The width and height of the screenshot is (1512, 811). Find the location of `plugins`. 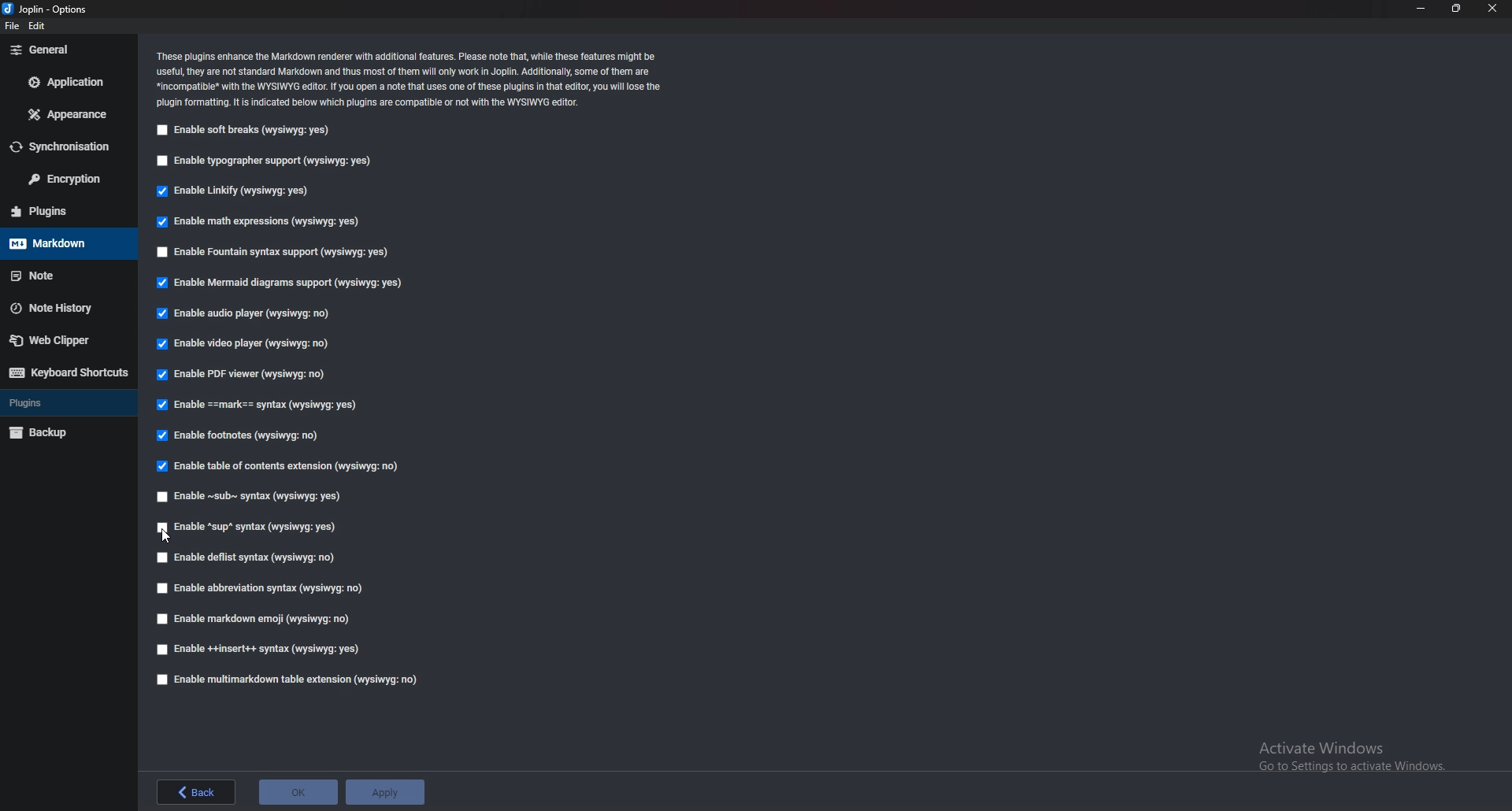

plugins is located at coordinates (66, 402).